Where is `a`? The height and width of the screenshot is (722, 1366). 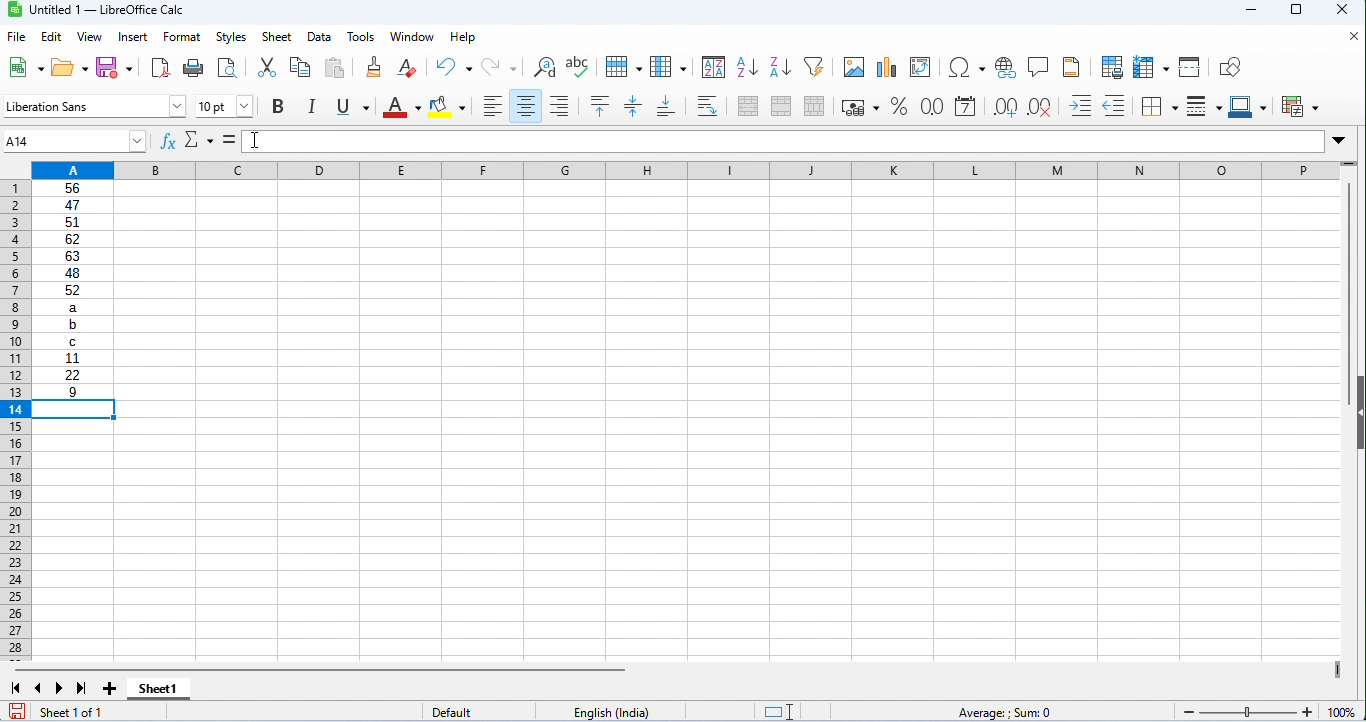
a is located at coordinates (72, 307).